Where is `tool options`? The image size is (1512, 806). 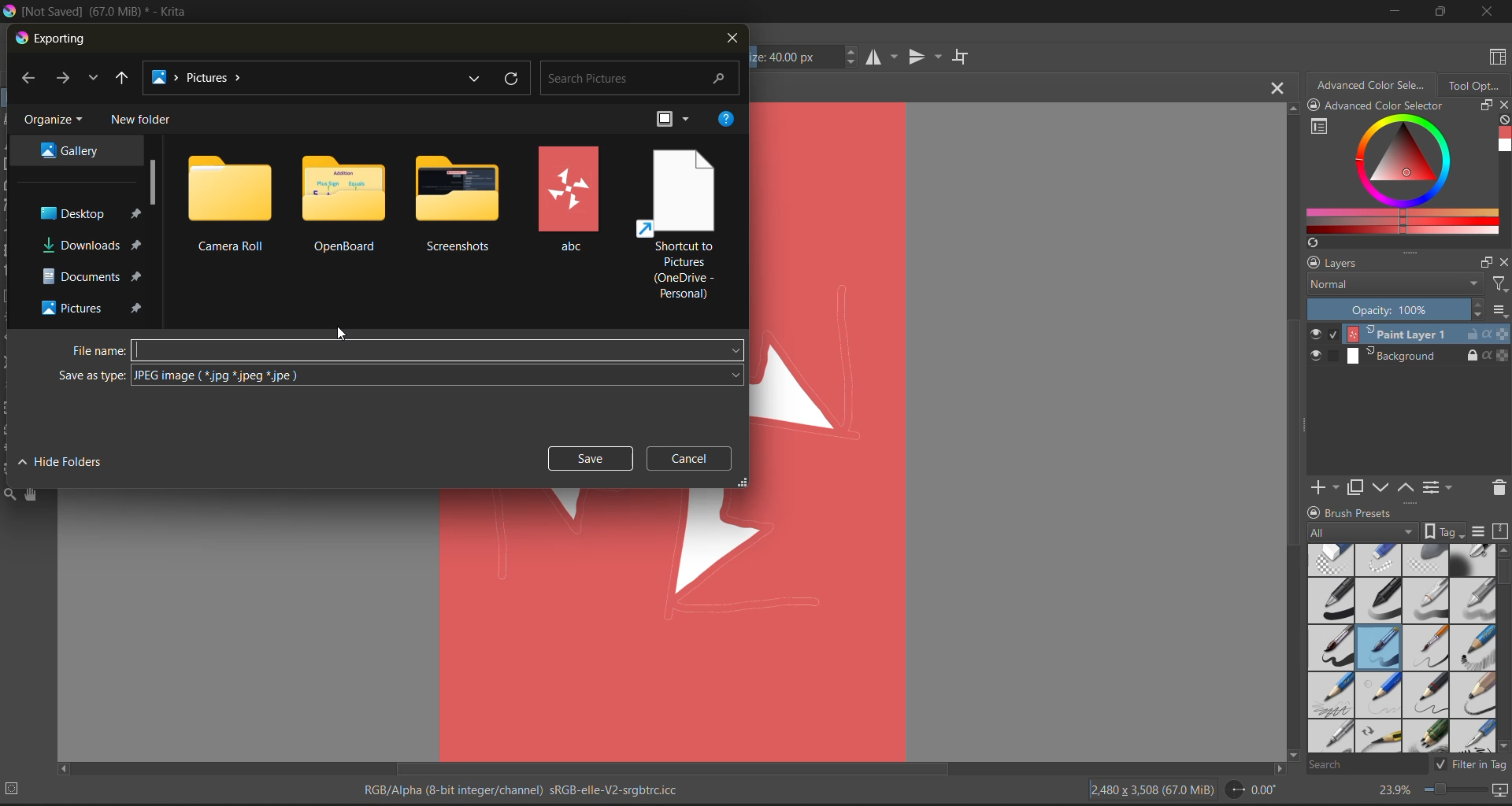 tool options is located at coordinates (1476, 88).